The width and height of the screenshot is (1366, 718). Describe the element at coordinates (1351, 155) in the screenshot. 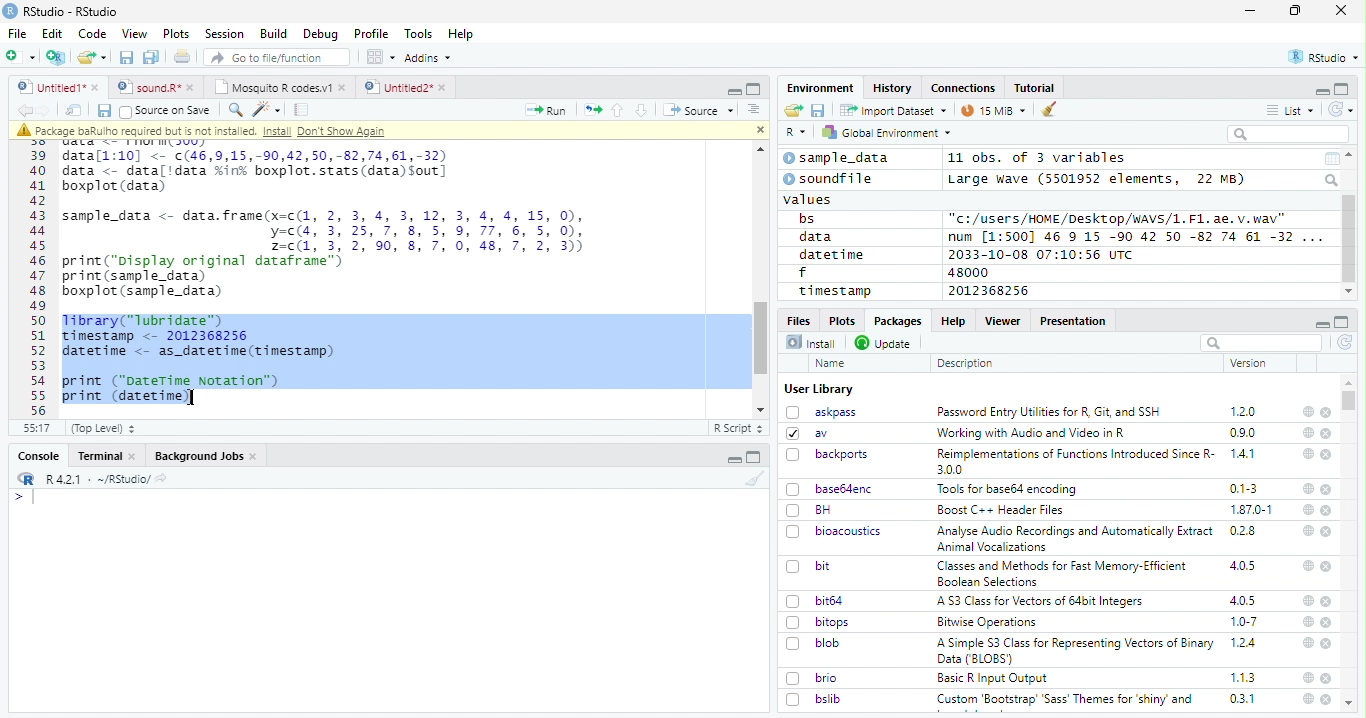

I see `scroll up` at that location.